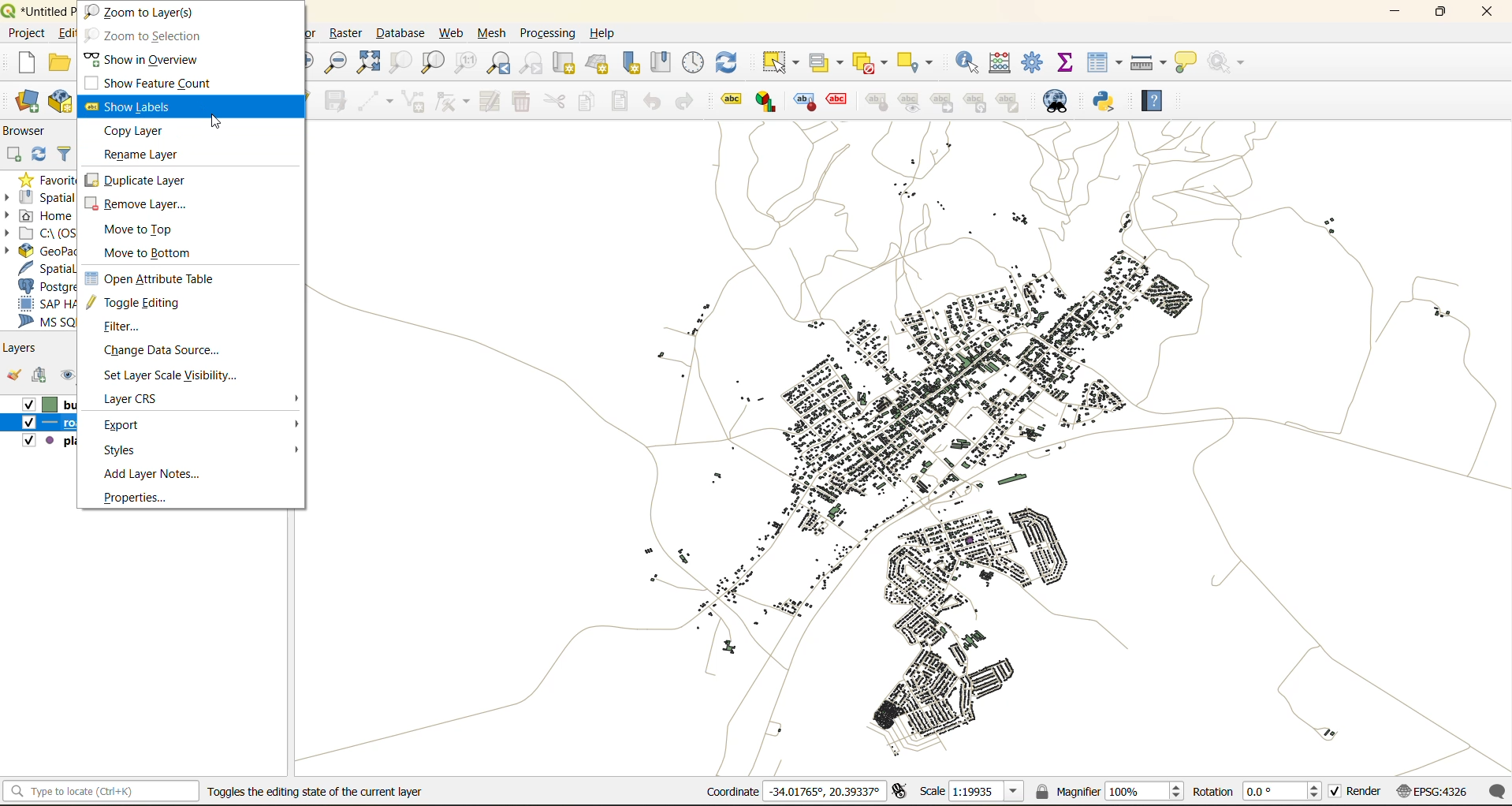  Describe the element at coordinates (132, 398) in the screenshot. I see `crs` at that location.